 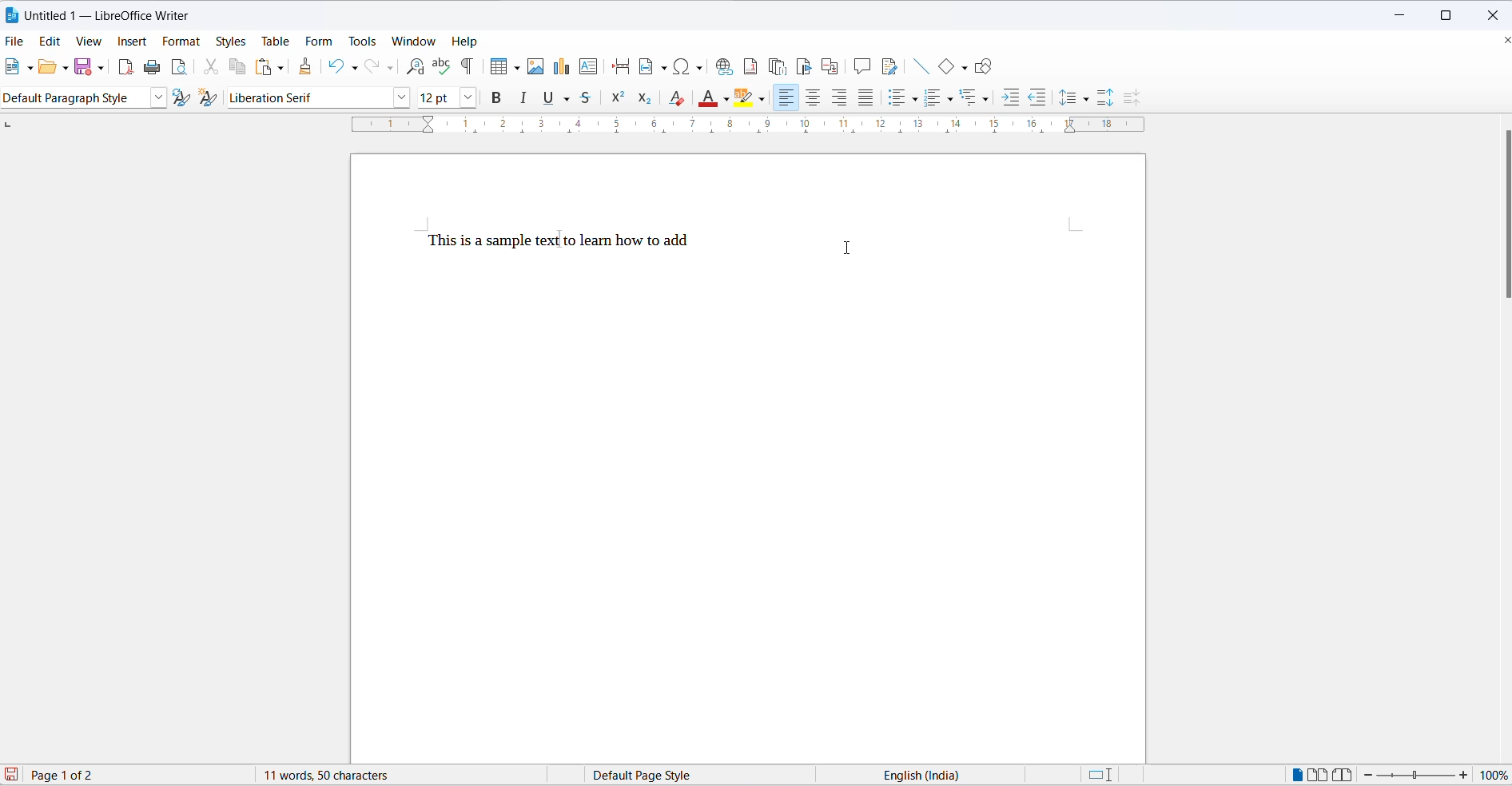 I want to click on decrease paragraph spacing, so click(x=1130, y=97).